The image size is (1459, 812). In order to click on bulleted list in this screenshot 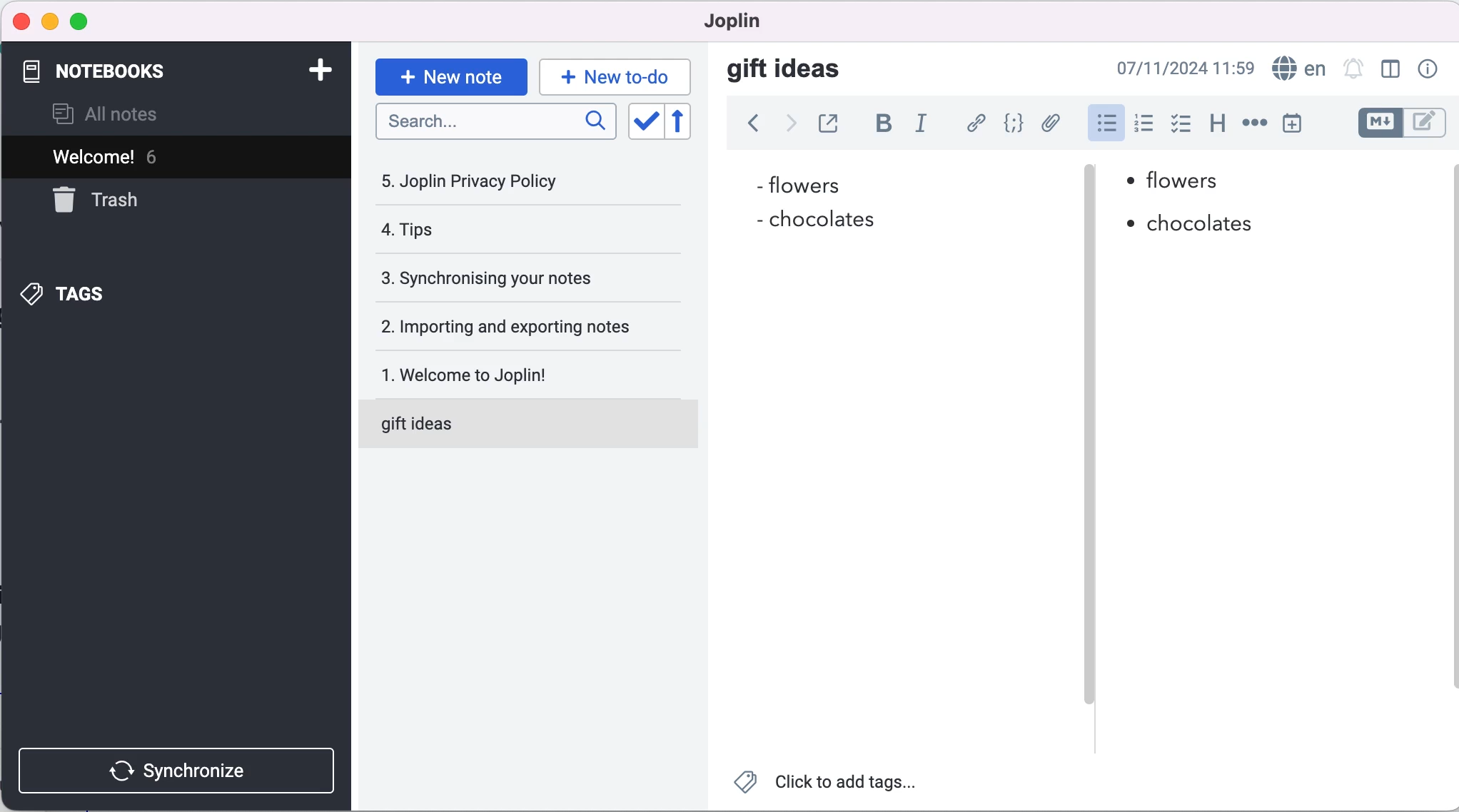, I will do `click(1104, 122)`.